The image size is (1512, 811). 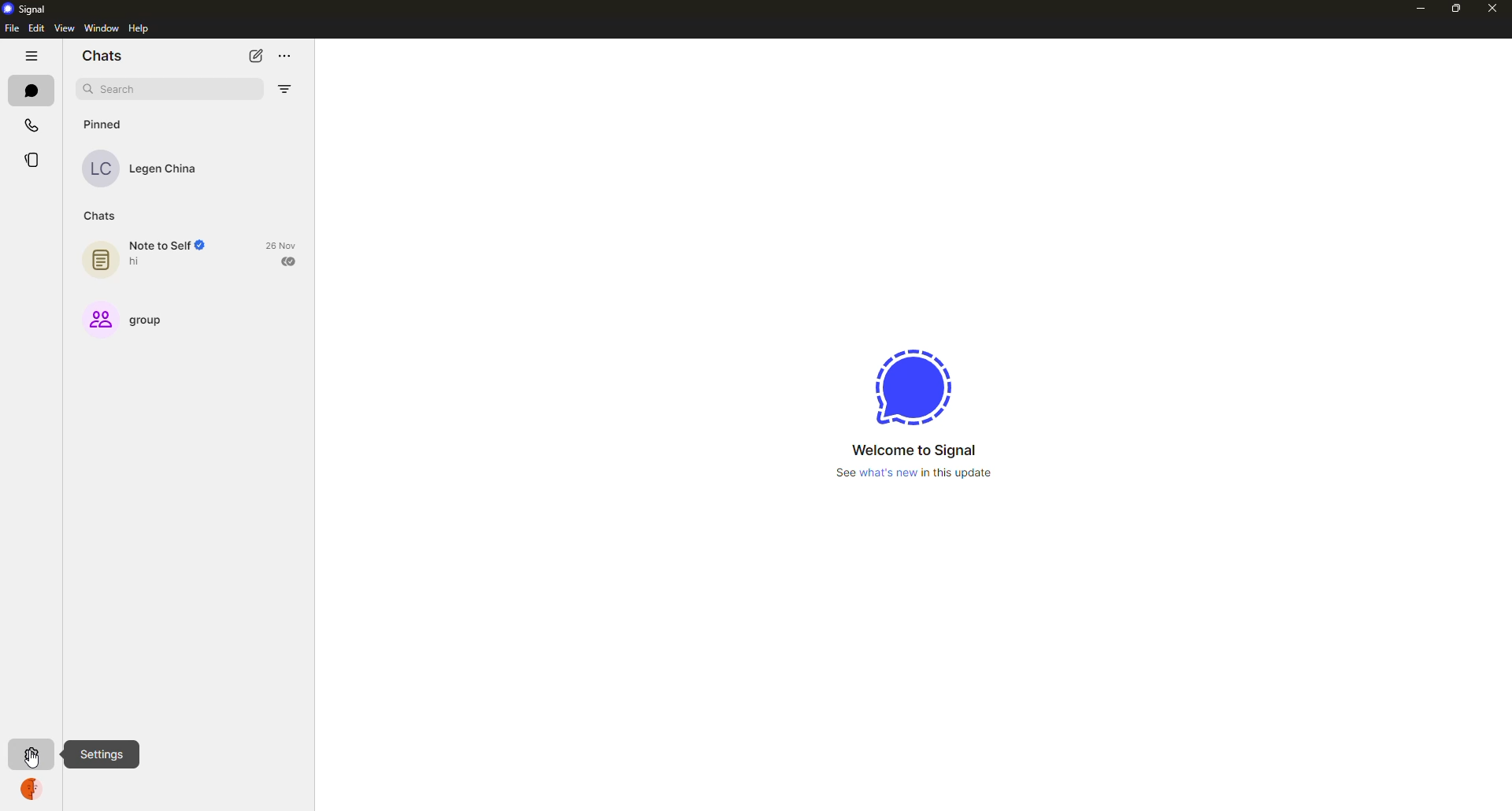 I want to click on Group Icon, so click(x=97, y=318).